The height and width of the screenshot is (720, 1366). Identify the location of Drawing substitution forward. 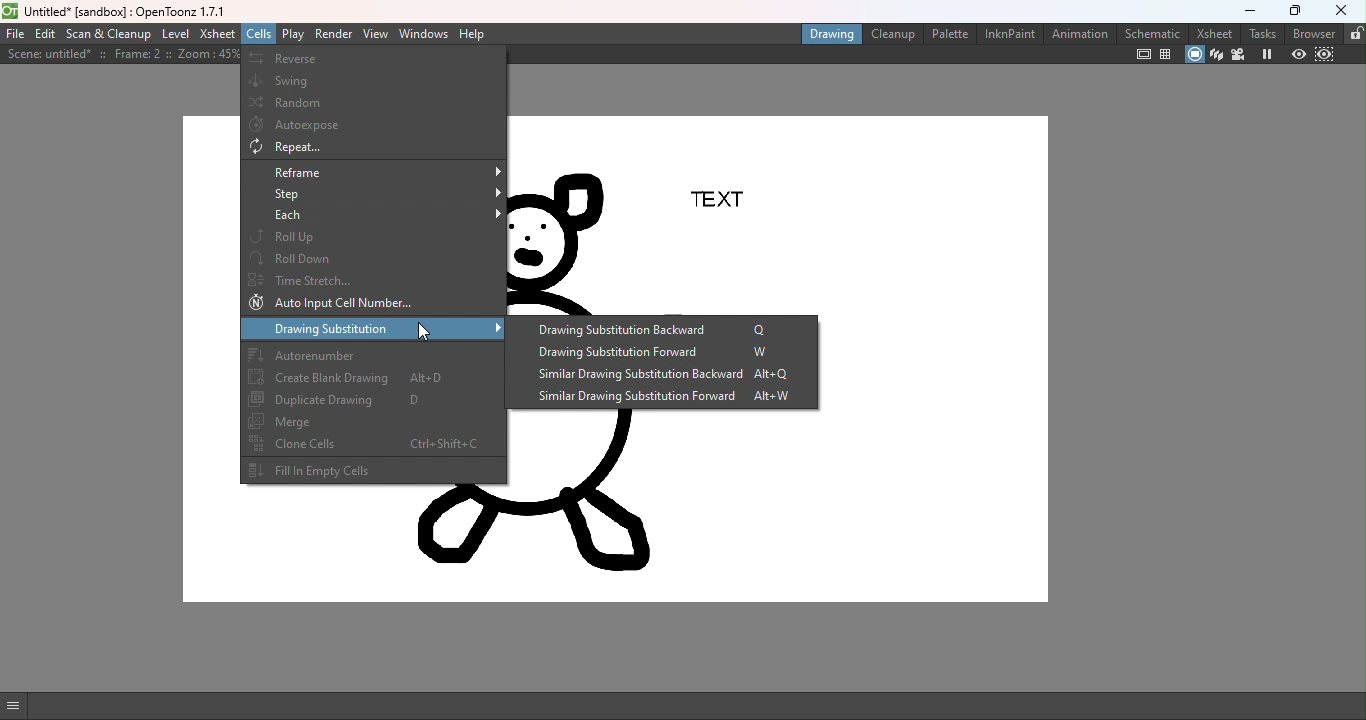
(668, 353).